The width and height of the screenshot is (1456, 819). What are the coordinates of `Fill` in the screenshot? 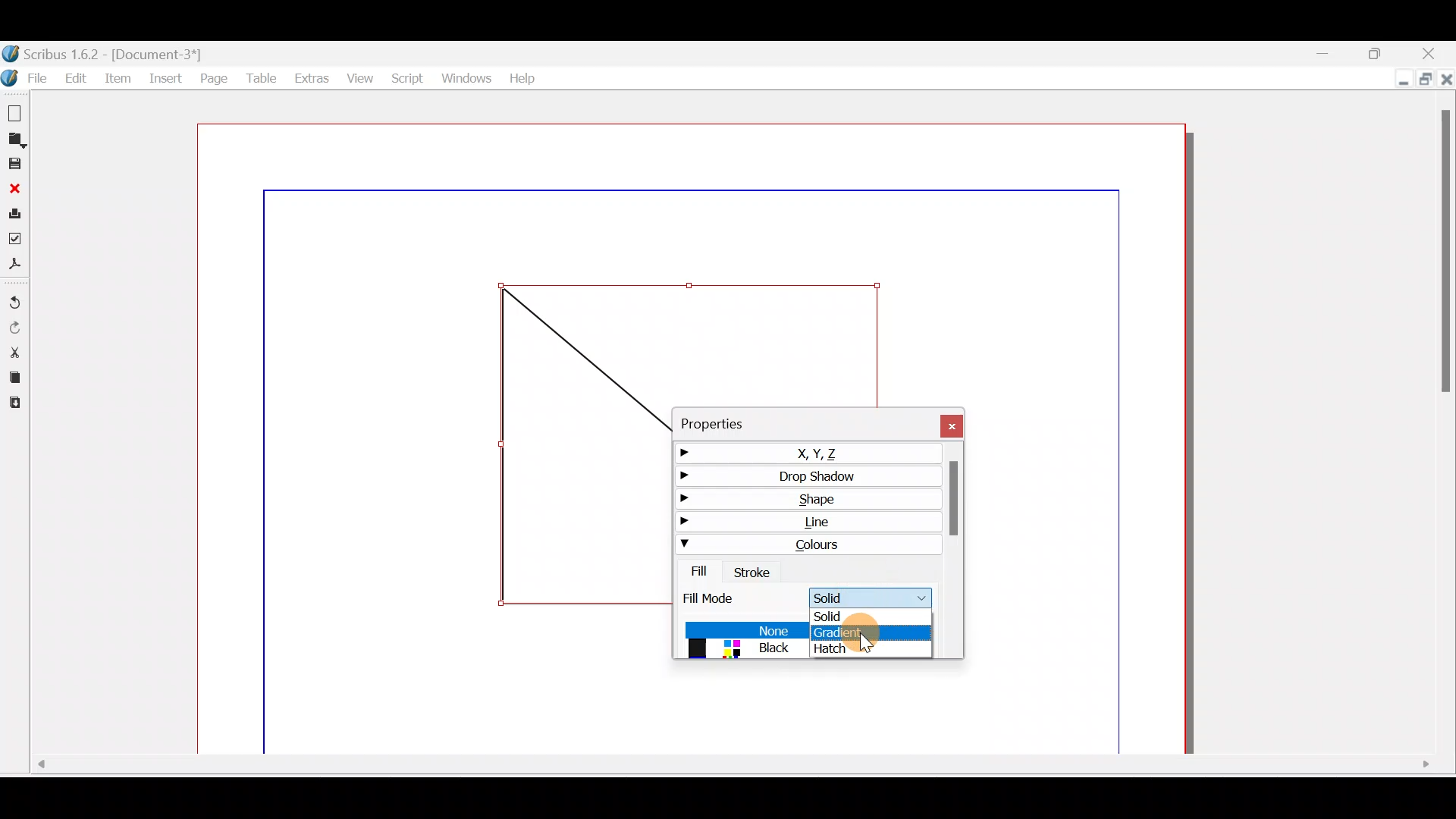 It's located at (694, 571).